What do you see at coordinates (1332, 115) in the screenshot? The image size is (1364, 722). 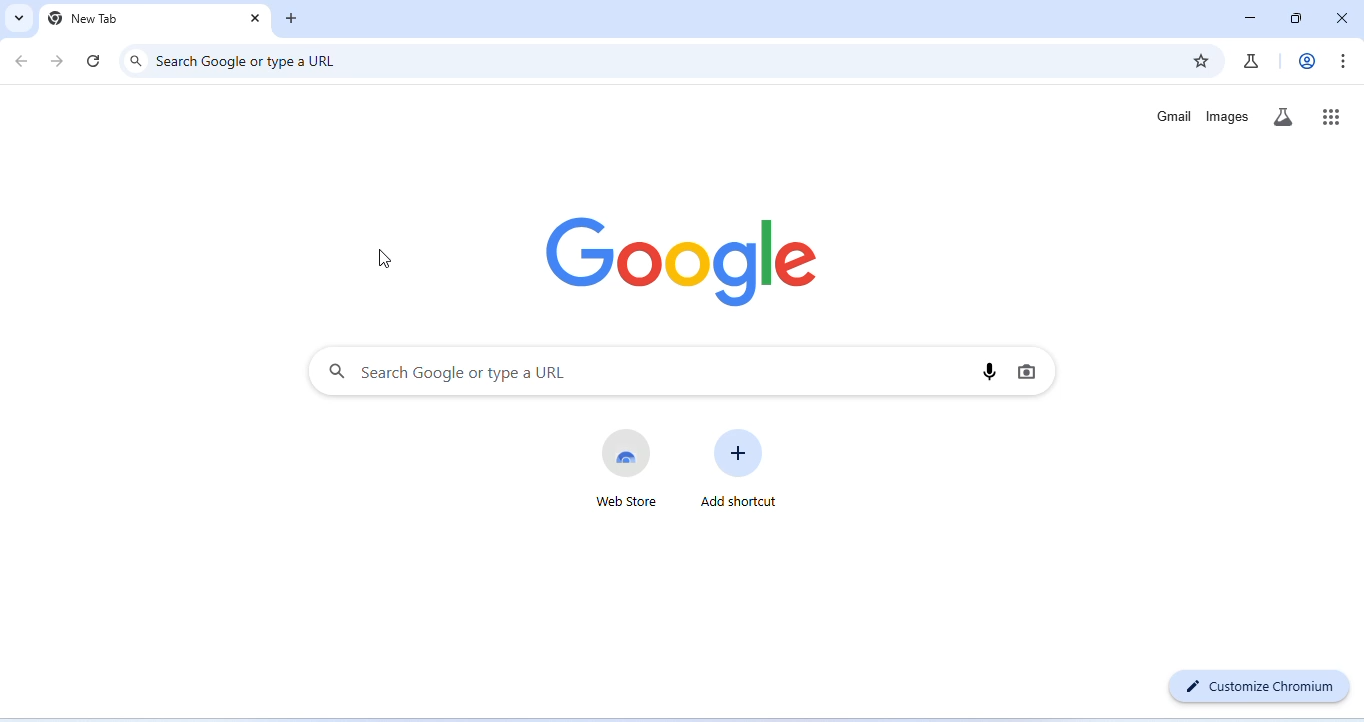 I see `google apps` at bounding box center [1332, 115].